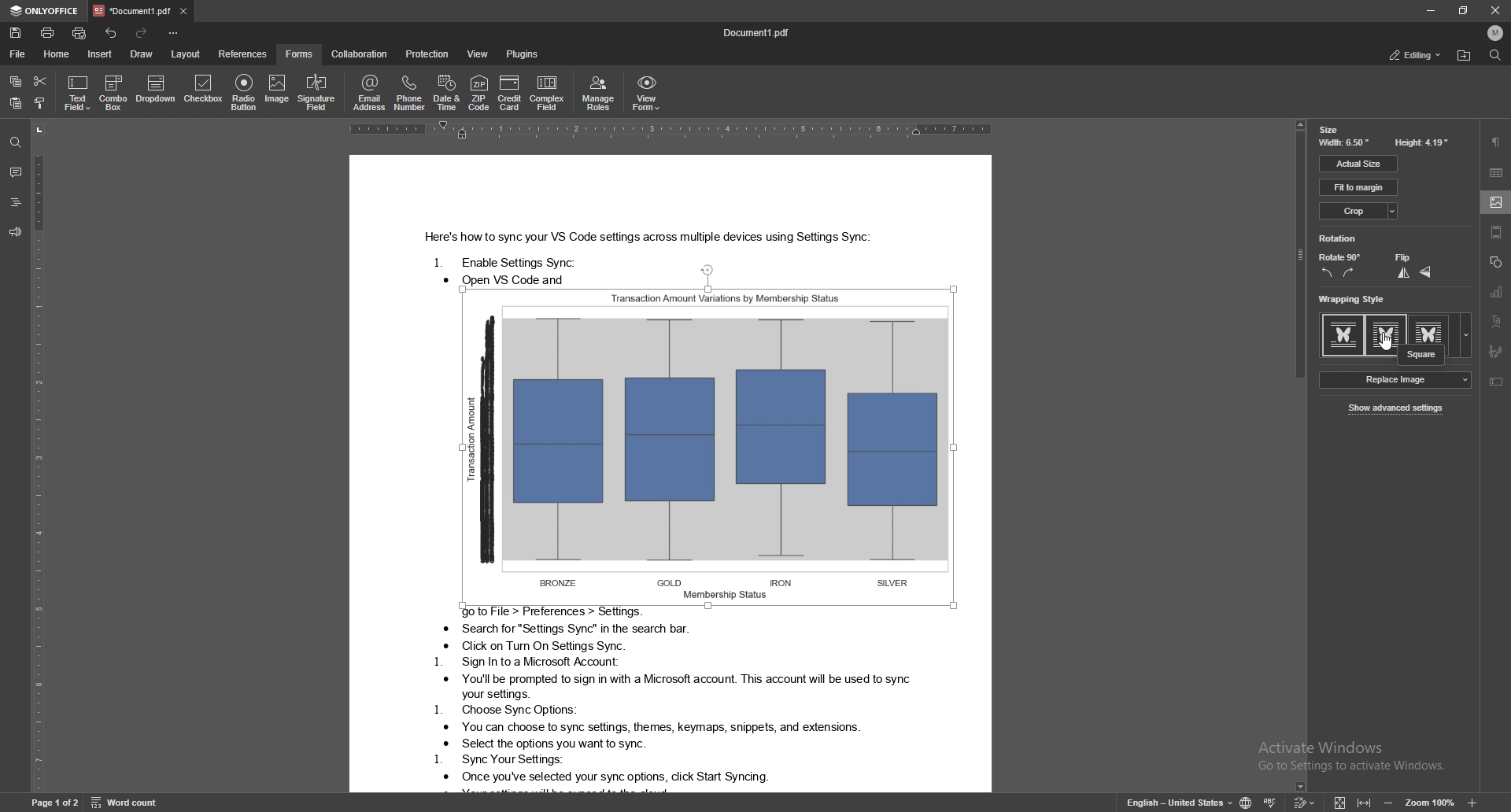  I want to click on Text, so click(647, 255).